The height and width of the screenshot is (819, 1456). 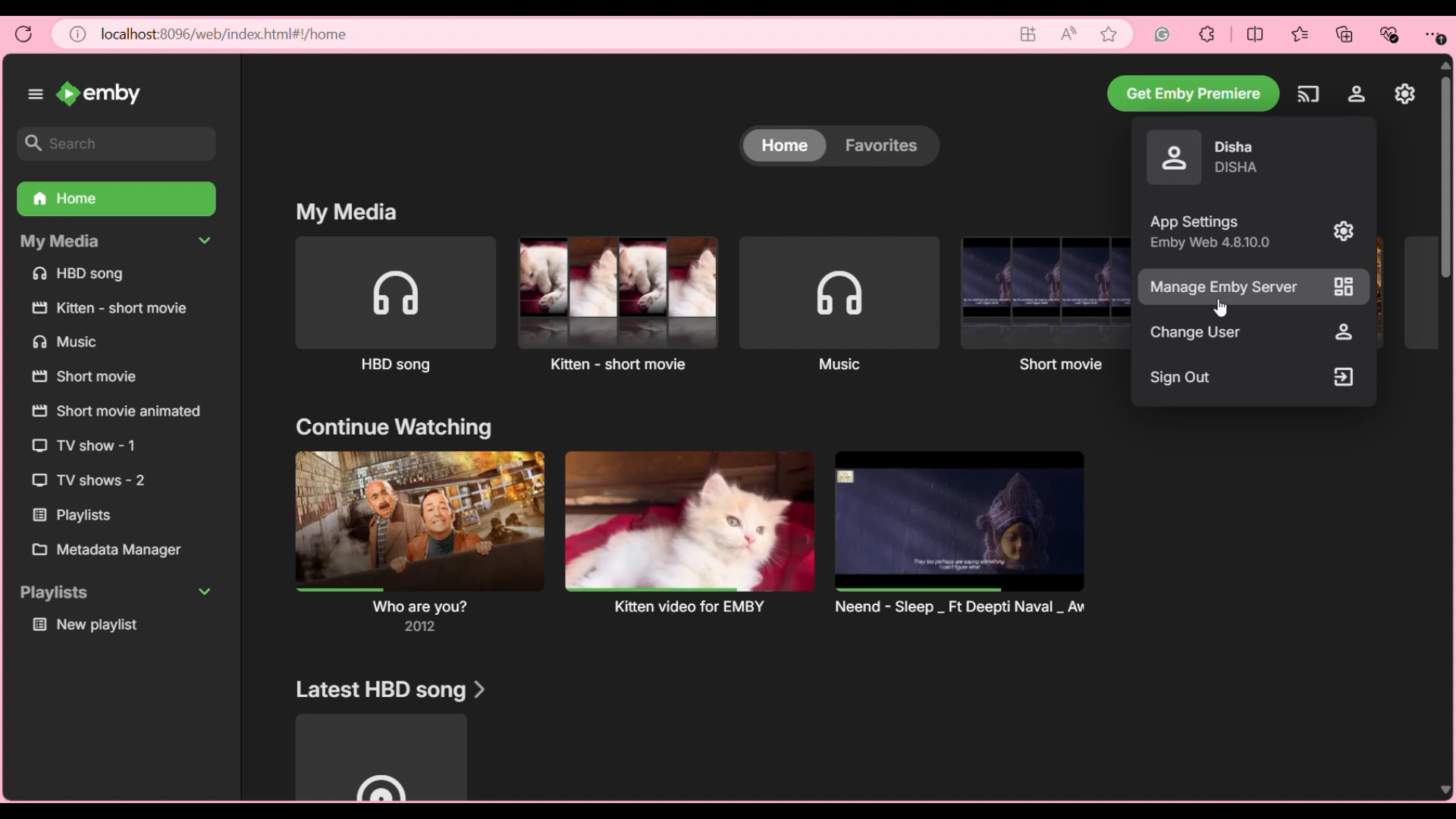 I want to click on continue watching, so click(x=388, y=428).